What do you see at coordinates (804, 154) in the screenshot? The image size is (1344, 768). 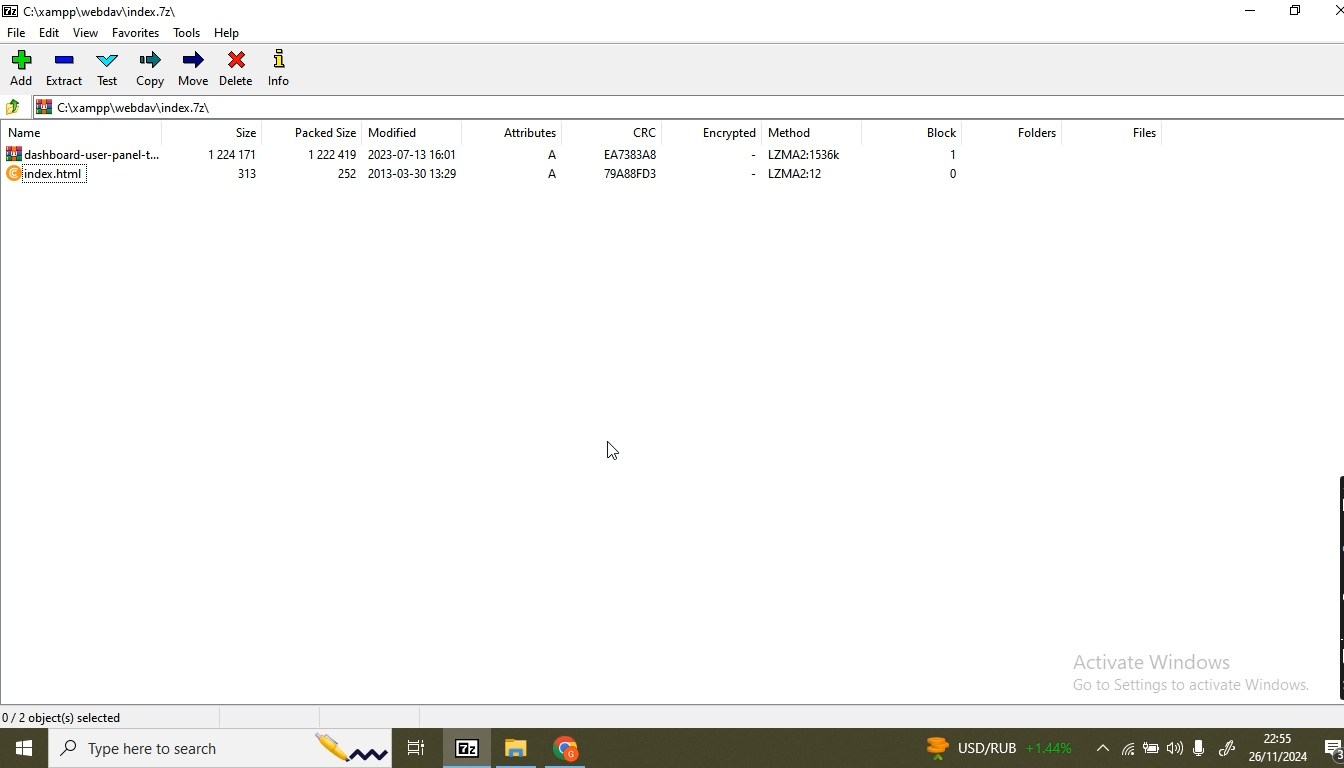 I see `lzma2:1536k` at bounding box center [804, 154].